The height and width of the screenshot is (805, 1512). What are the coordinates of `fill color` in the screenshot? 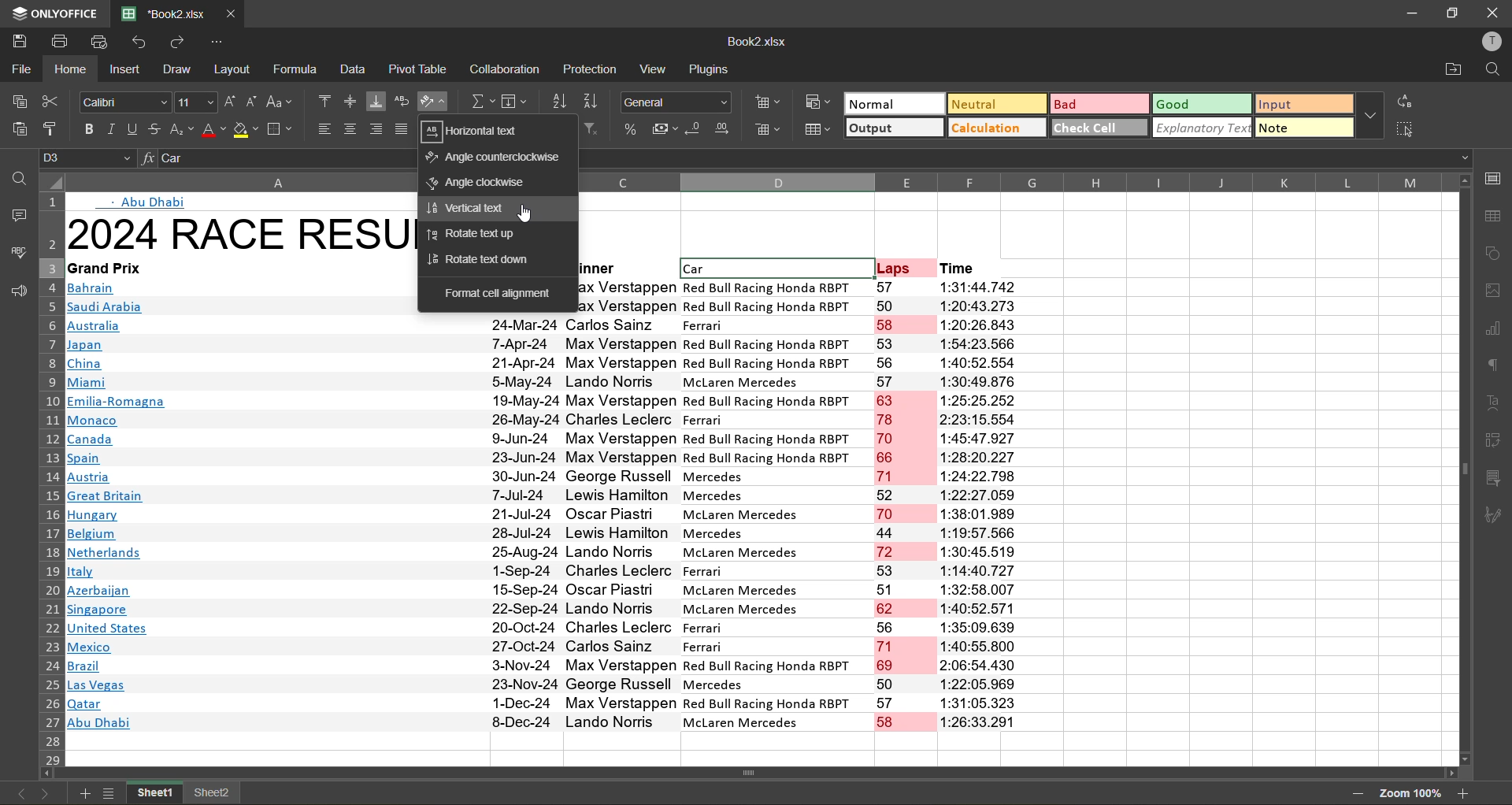 It's located at (246, 132).